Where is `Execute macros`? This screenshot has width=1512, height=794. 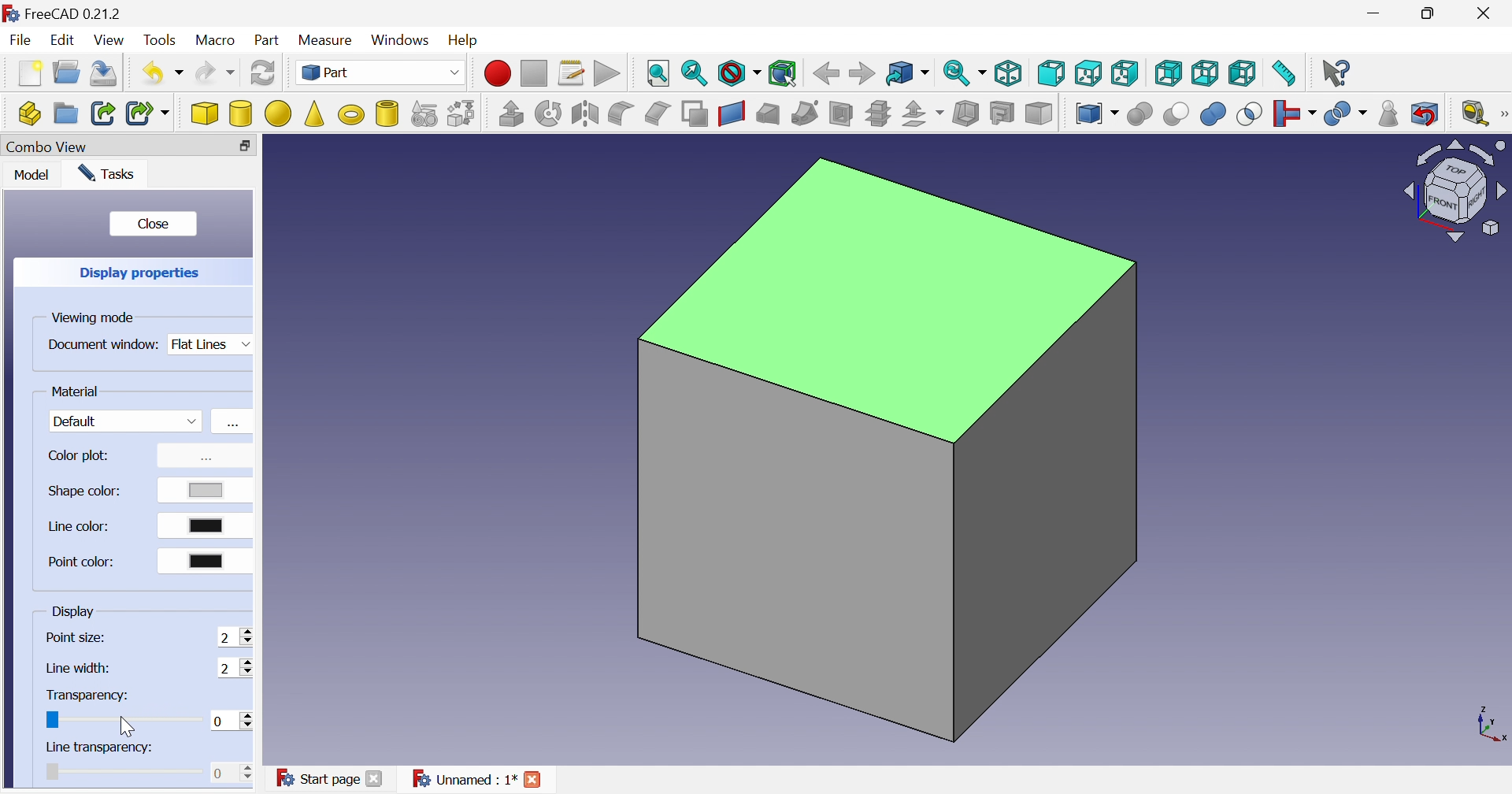 Execute macros is located at coordinates (607, 72).